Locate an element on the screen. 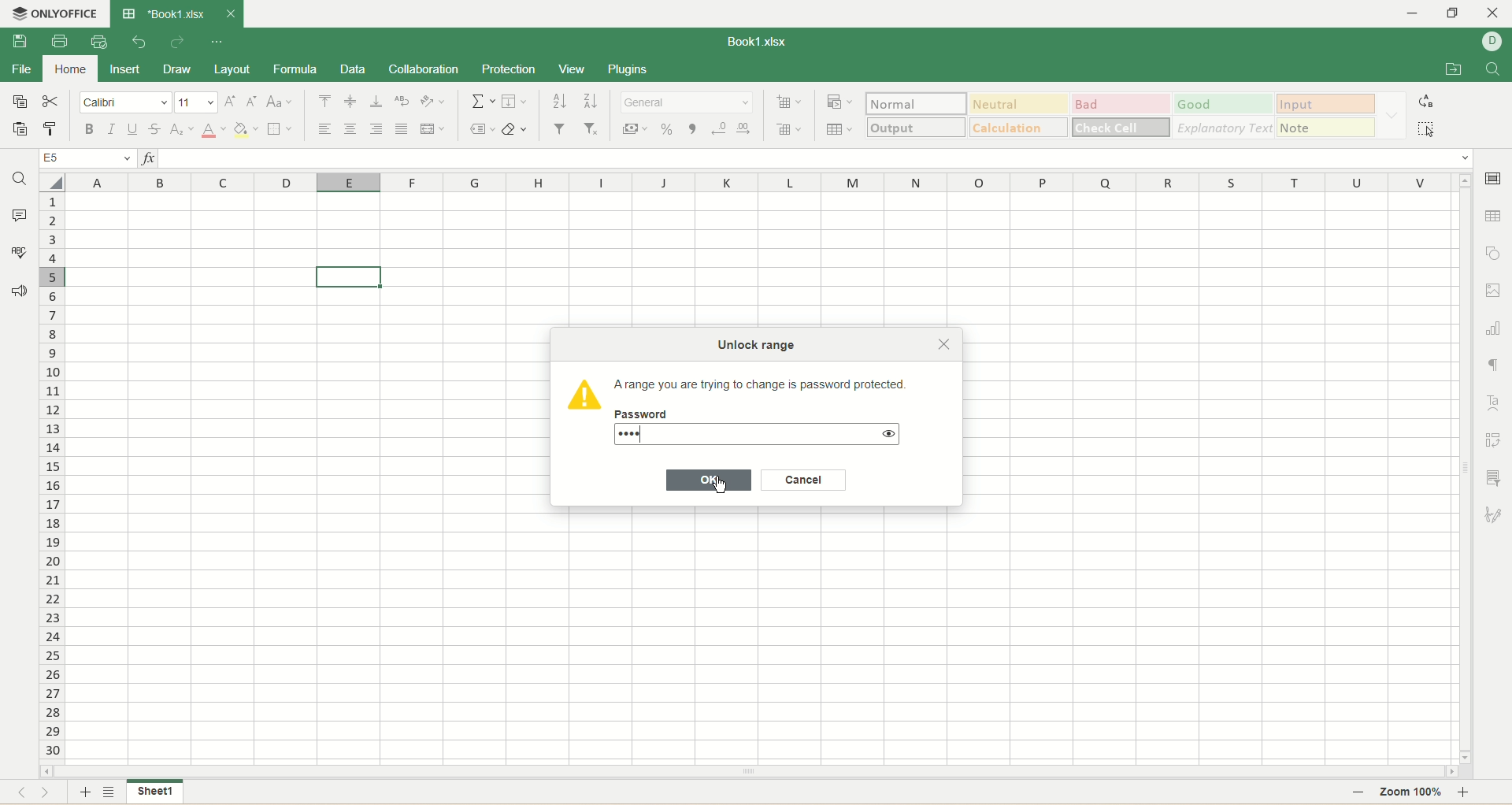 This screenshot has width=1512, height=805. text art settings is located at coordinates (1494, 403).